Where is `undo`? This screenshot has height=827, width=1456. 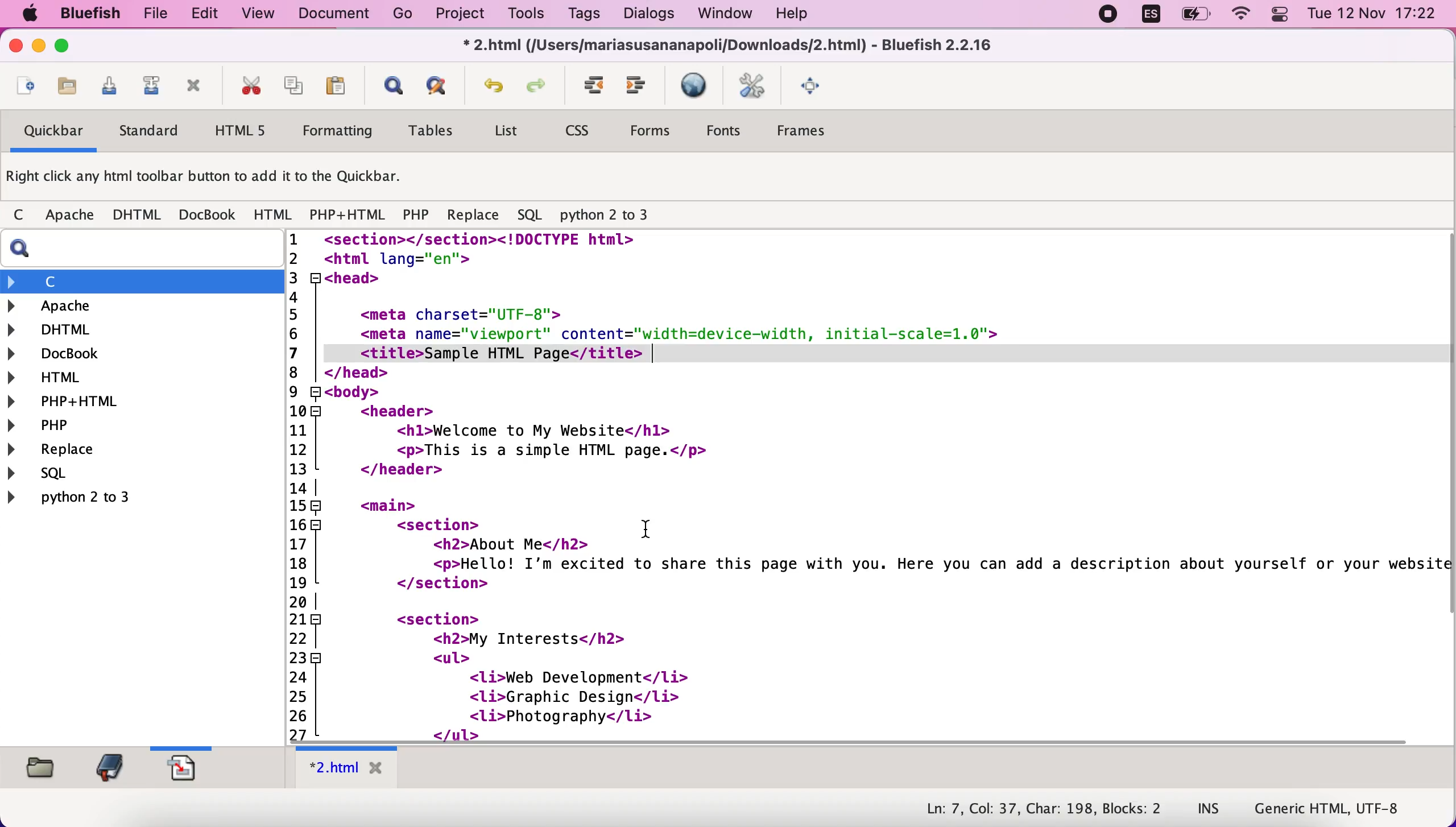 undo is located at coordinates (494, 83).